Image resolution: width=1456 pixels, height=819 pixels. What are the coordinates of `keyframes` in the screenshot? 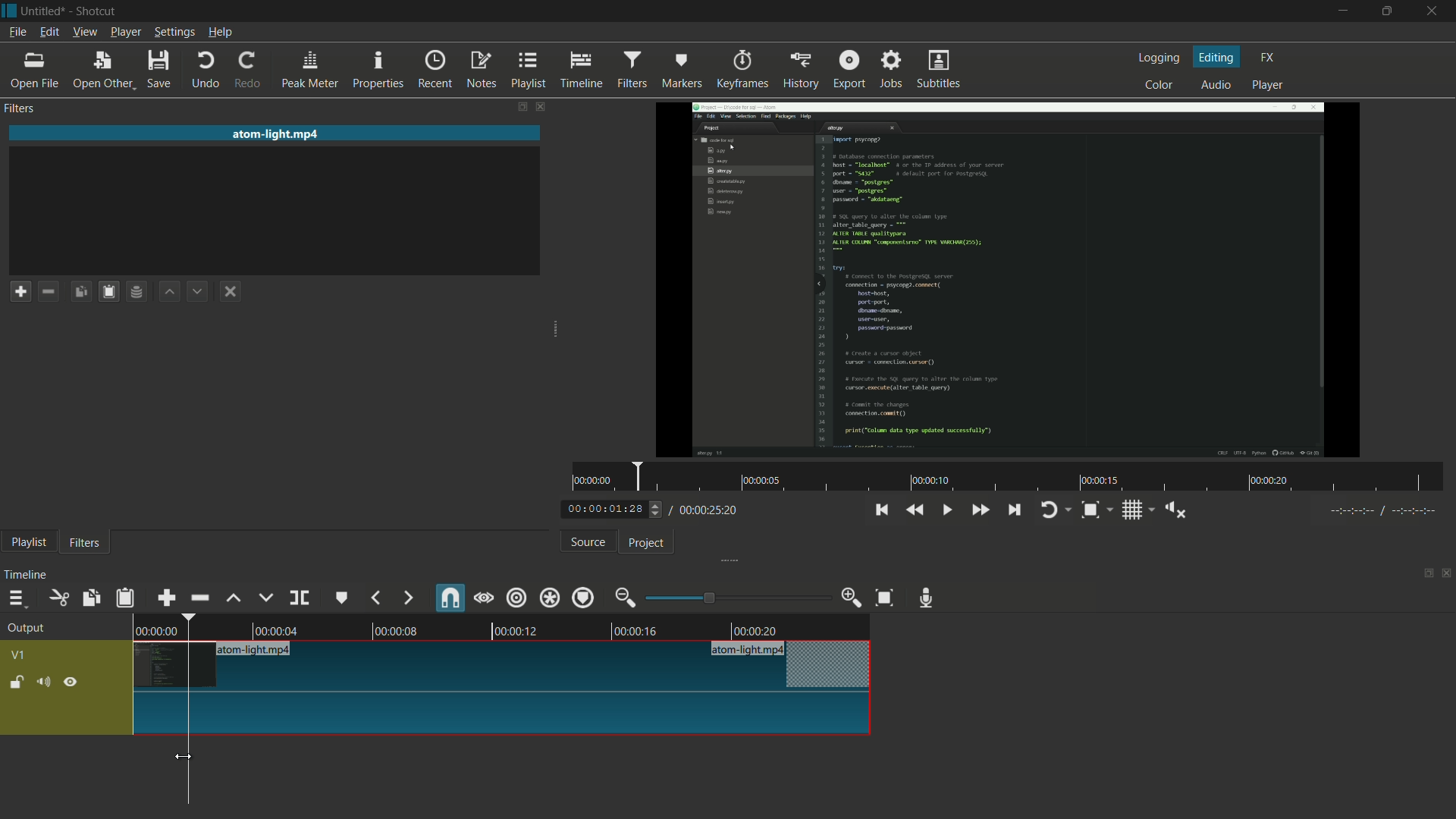 It's located at (740, 70).